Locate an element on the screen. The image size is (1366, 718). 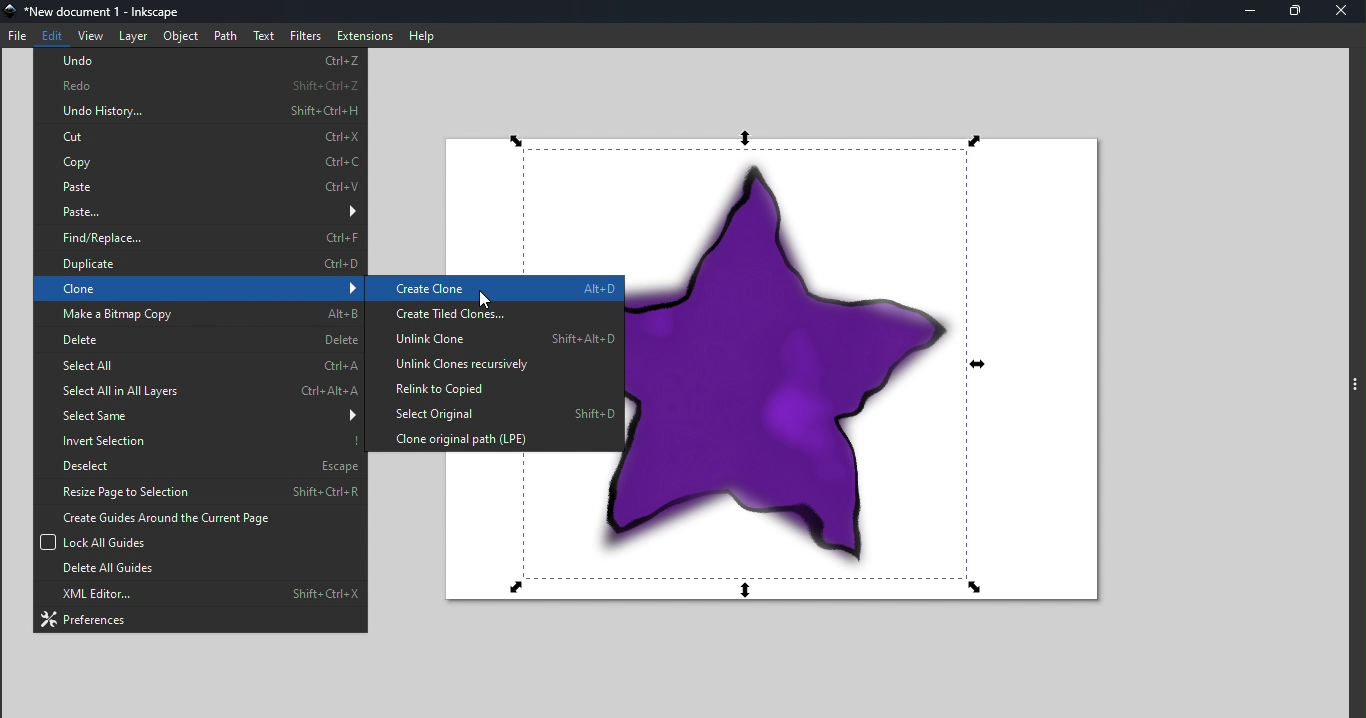
Create clone is located at coordinates (493, 290).